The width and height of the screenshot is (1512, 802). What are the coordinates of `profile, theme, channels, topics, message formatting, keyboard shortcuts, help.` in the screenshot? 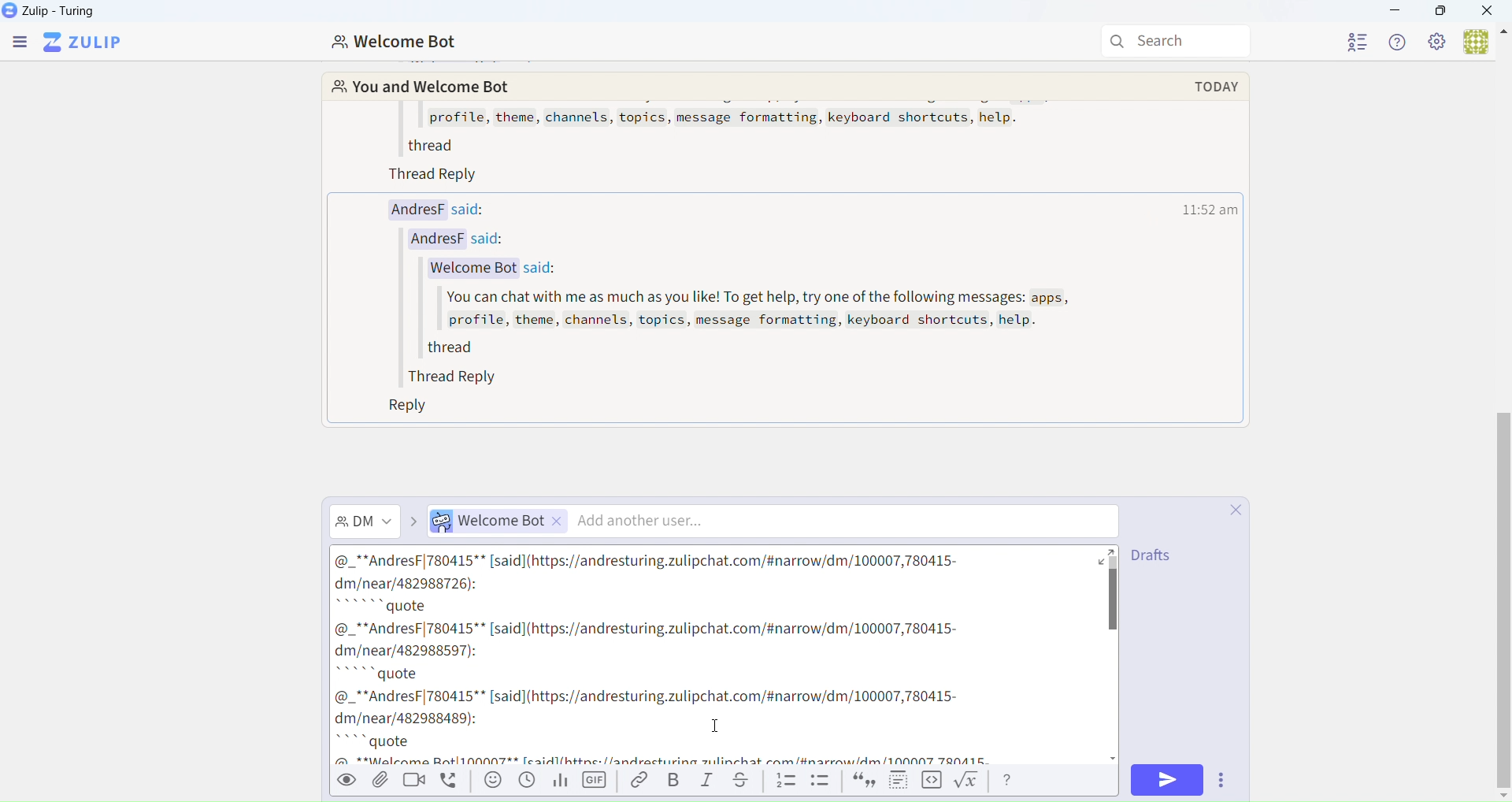 It's located at (735, 118).